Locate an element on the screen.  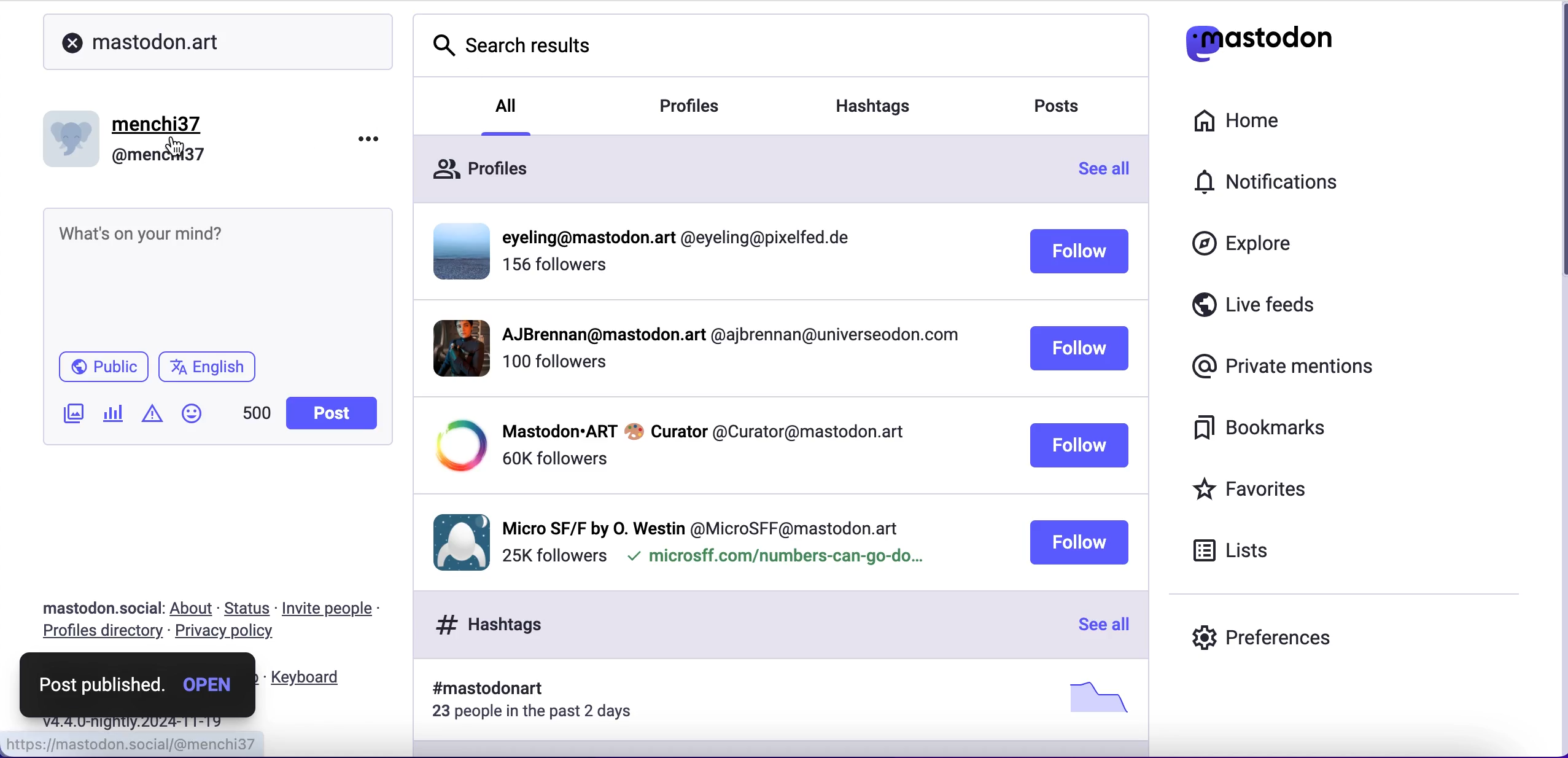
post published is located at coordinates (100, 685).